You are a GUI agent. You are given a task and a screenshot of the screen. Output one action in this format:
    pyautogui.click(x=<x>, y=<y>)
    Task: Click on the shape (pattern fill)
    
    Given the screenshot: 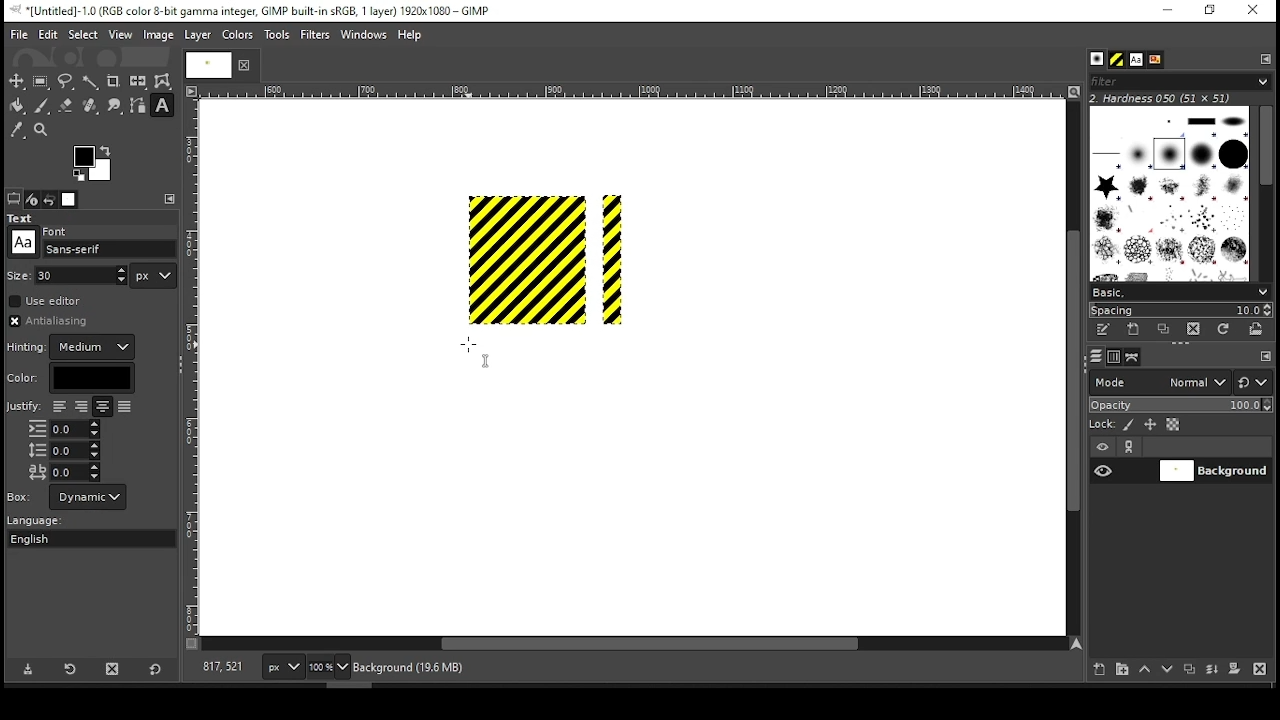 What is the action you would take?
    pyautogui.click(x=528, y=258)
    